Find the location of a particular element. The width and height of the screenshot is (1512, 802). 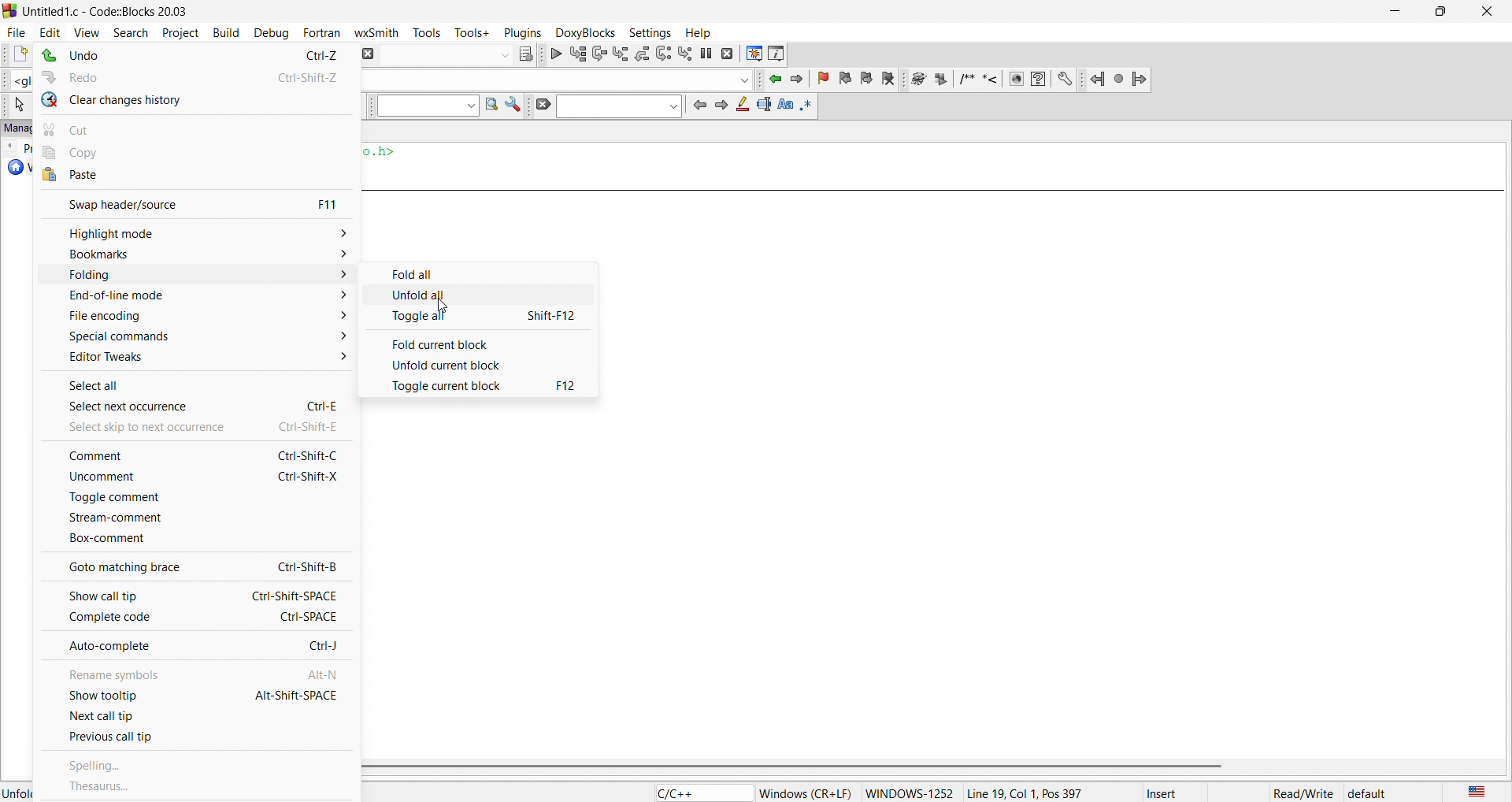

function select is located at coordinates (558, 79).